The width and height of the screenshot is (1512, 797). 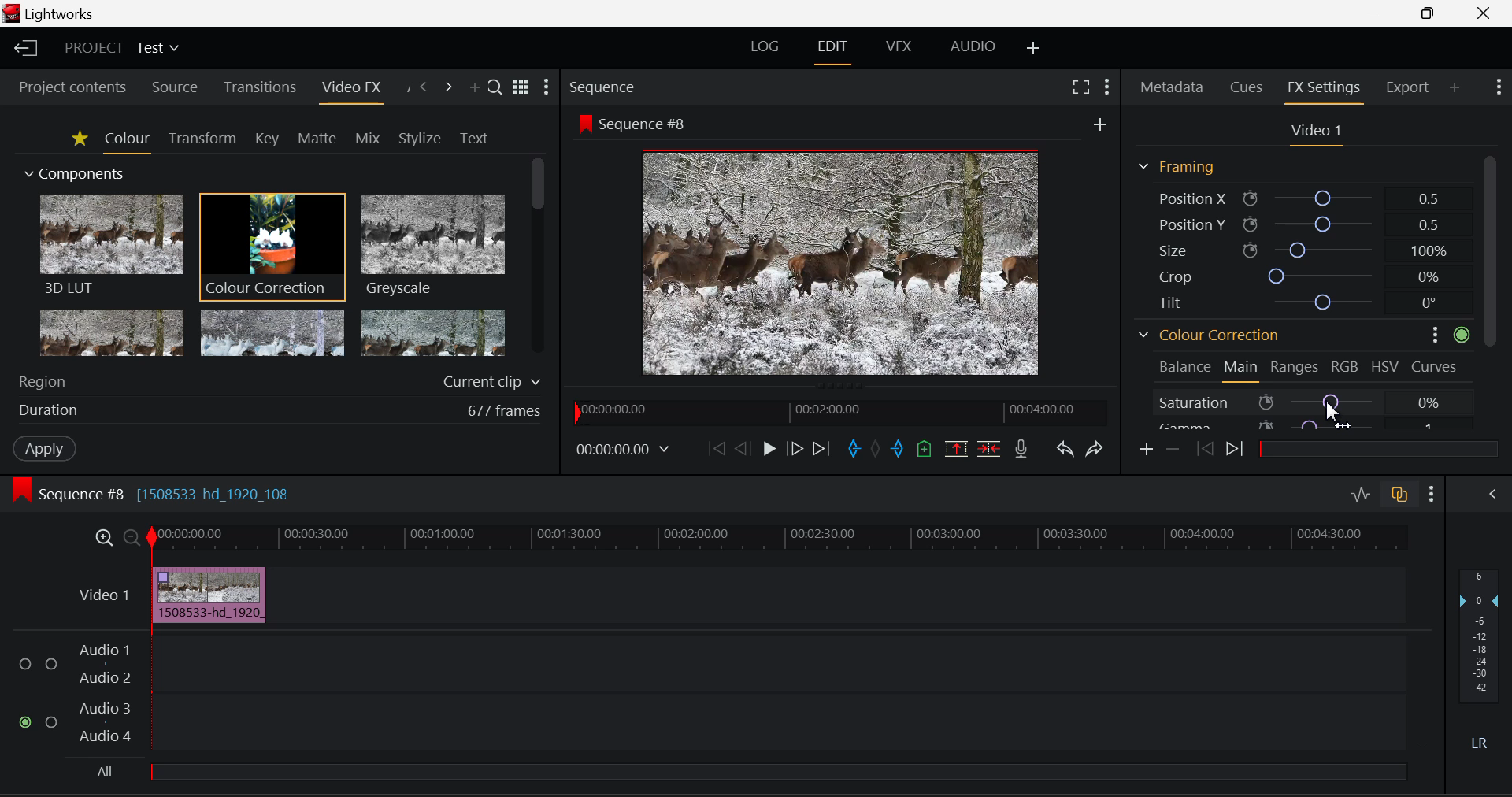 What do you see at coordinates (1432, 495) in the screenshot?
I see `Show Settings` at bounding box center [1432, 495].